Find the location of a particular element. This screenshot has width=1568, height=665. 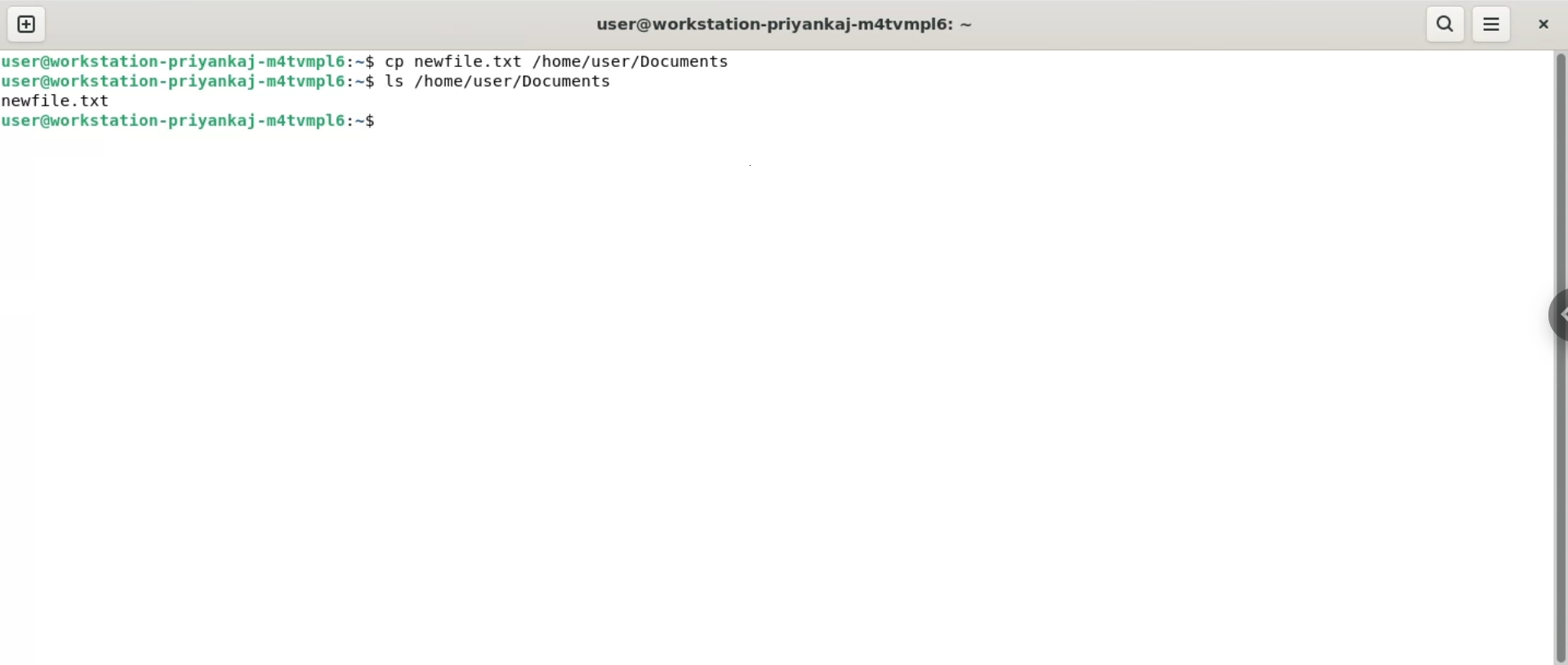

user@workstation-priyankaj-m4atvmpl6:~$ is located at coordinates (190, 122).